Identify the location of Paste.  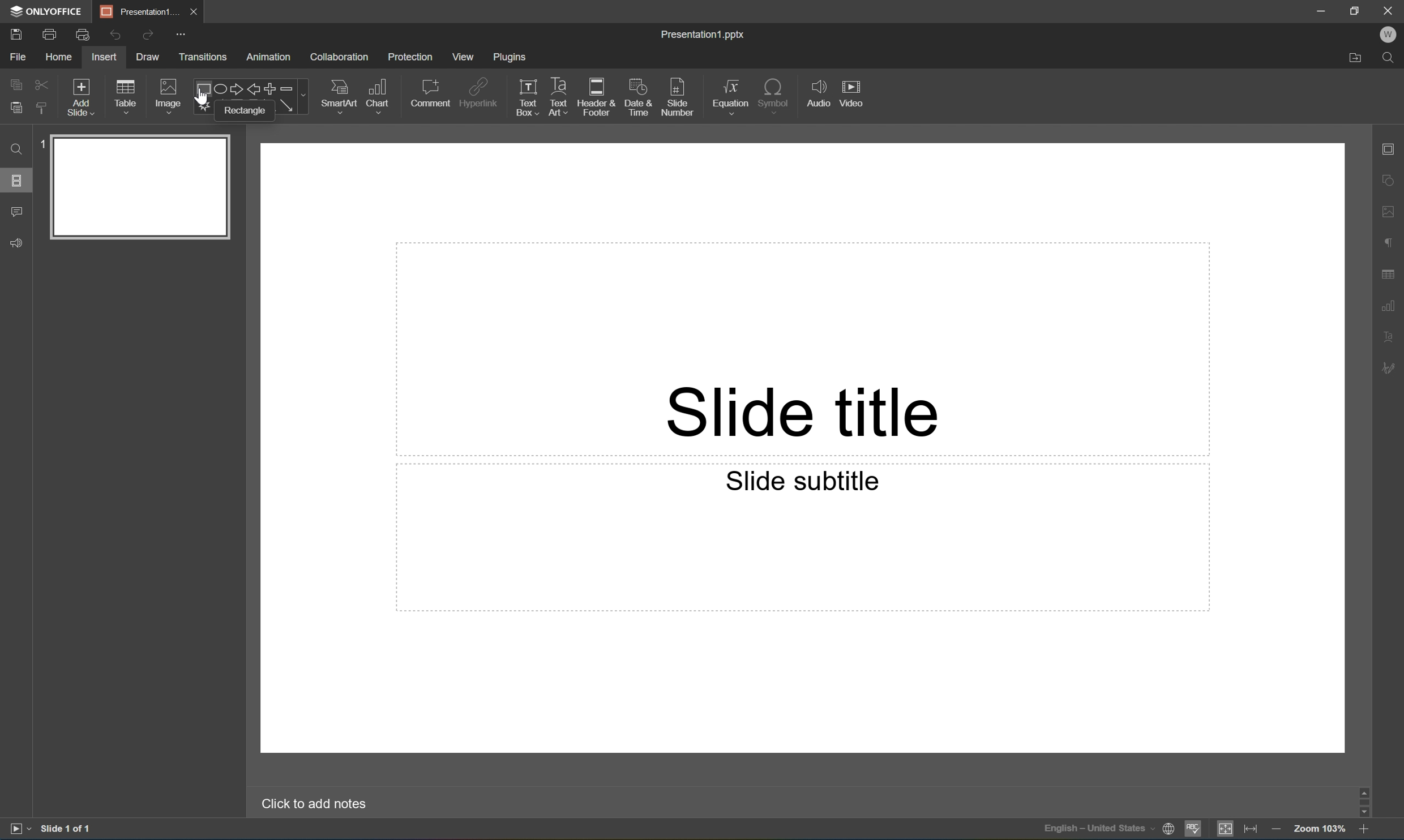
(16, 108).